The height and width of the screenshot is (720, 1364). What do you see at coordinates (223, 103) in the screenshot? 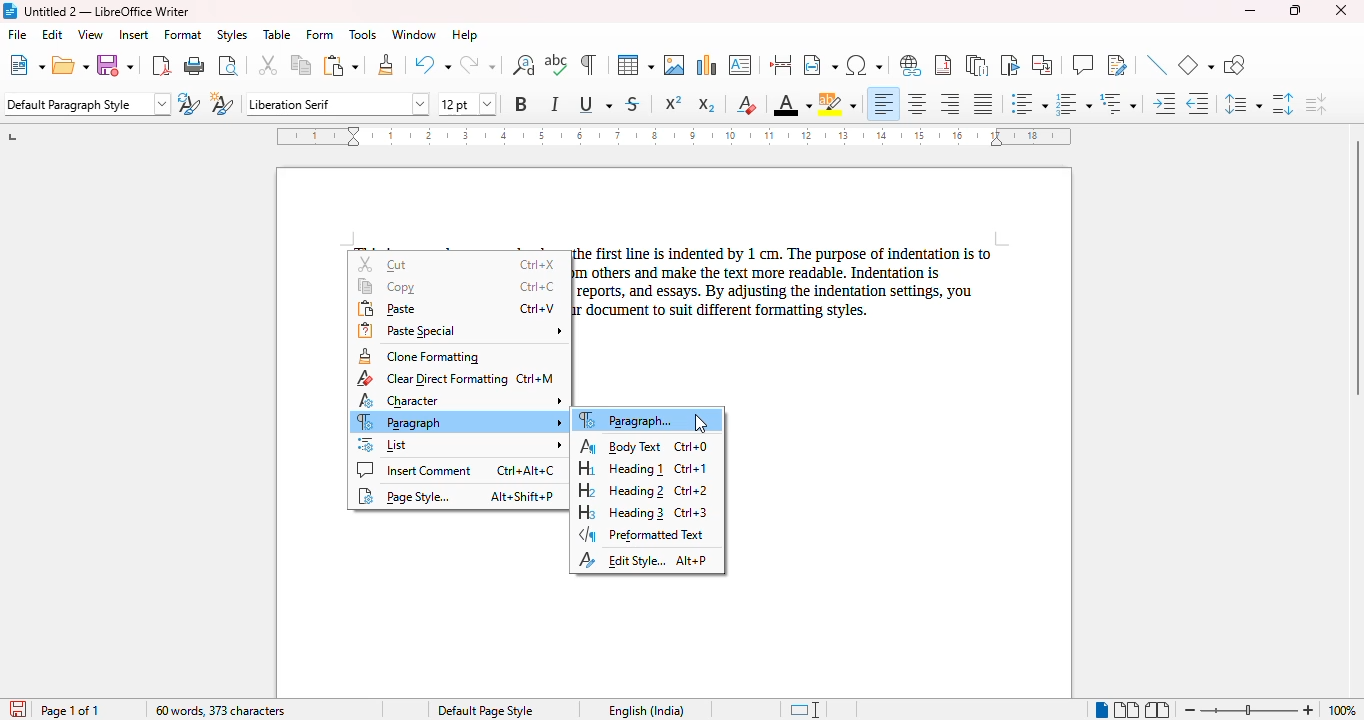
I see `new style from selection` at bounding box center [223, 103].